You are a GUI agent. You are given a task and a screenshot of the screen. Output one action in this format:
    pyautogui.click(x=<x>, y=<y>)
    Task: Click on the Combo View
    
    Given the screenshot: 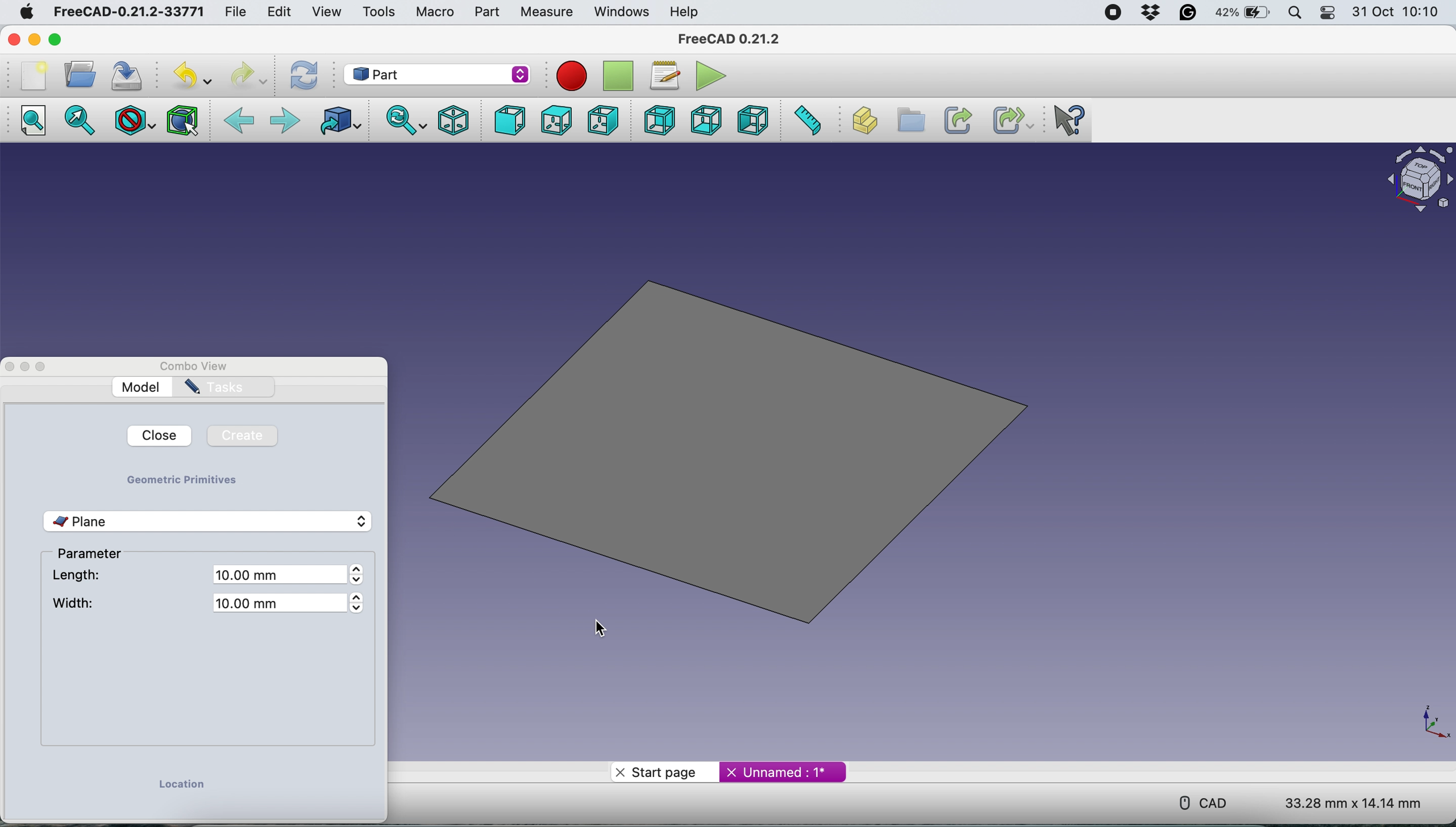 What is the action you would take?
    pyautogui.click(x=195, y=367)
    